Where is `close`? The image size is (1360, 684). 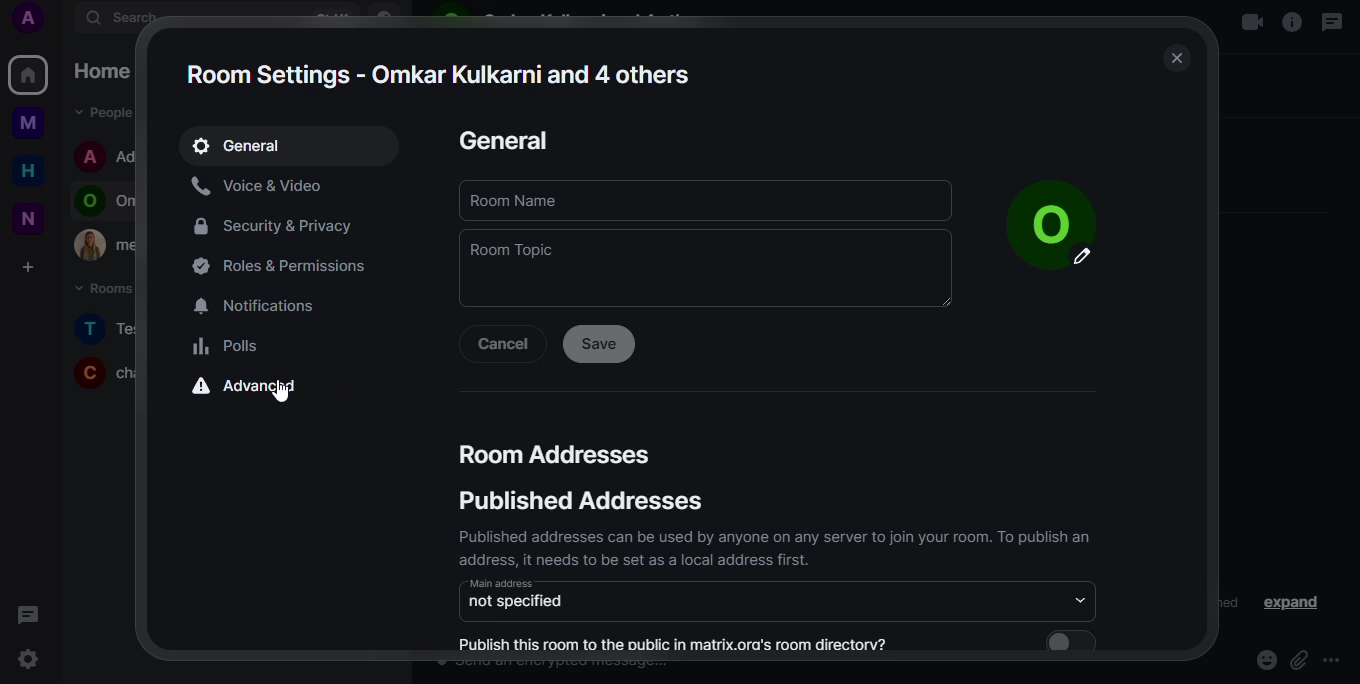
close is located at coordinates (1177, 58).